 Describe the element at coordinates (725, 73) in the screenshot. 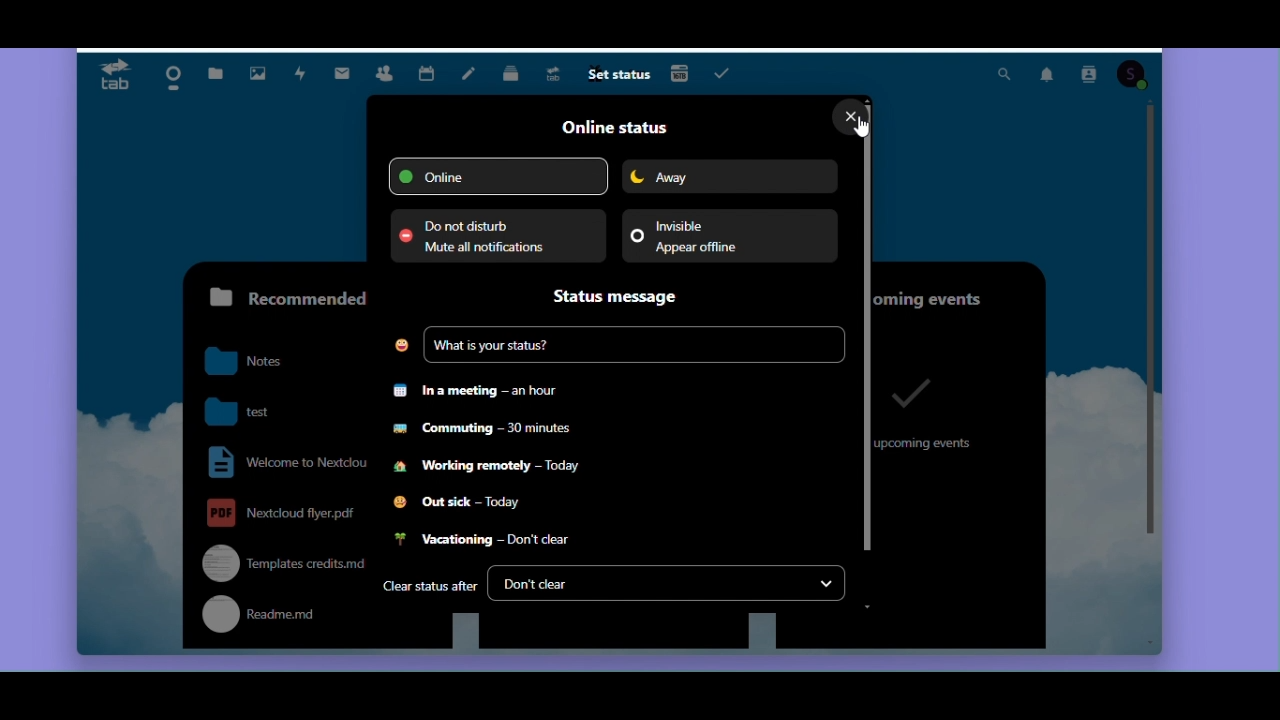

I see `Task` at that location.